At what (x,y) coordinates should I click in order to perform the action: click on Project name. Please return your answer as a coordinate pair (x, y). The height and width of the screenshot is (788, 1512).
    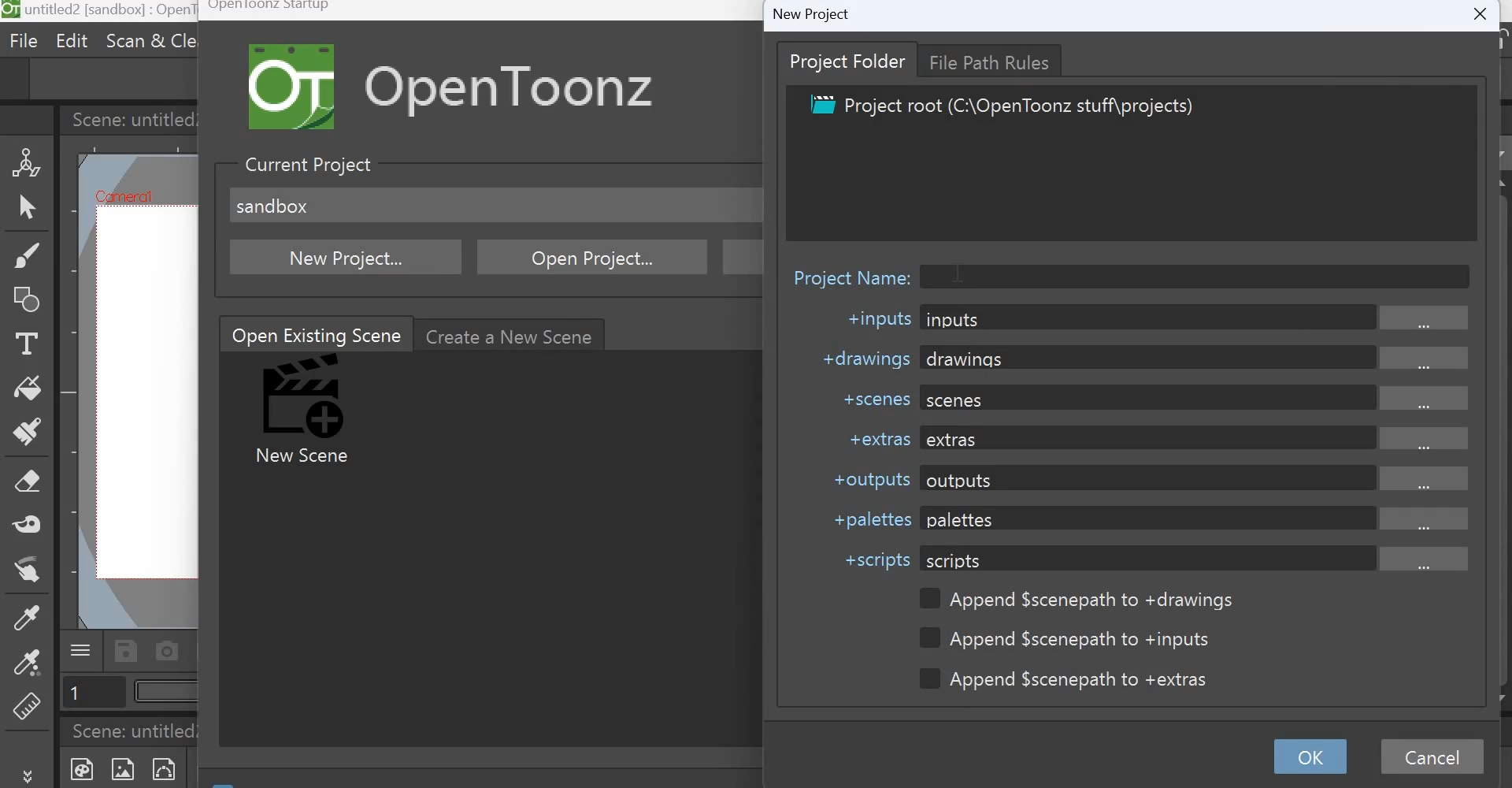
    Looking at the image, I should click on (853, 273).